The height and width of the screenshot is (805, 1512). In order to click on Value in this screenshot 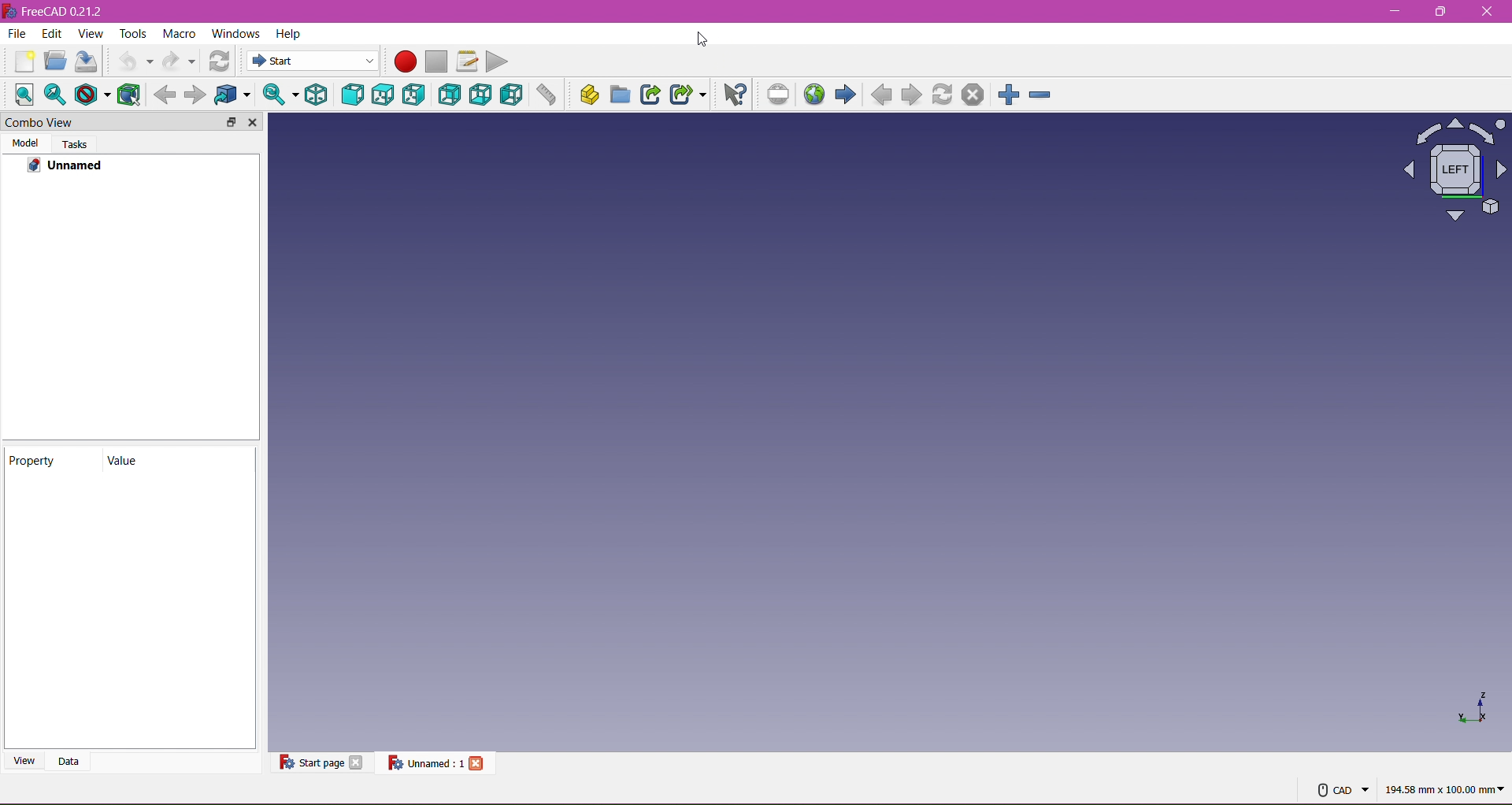, I will do `click(143, 458)`.